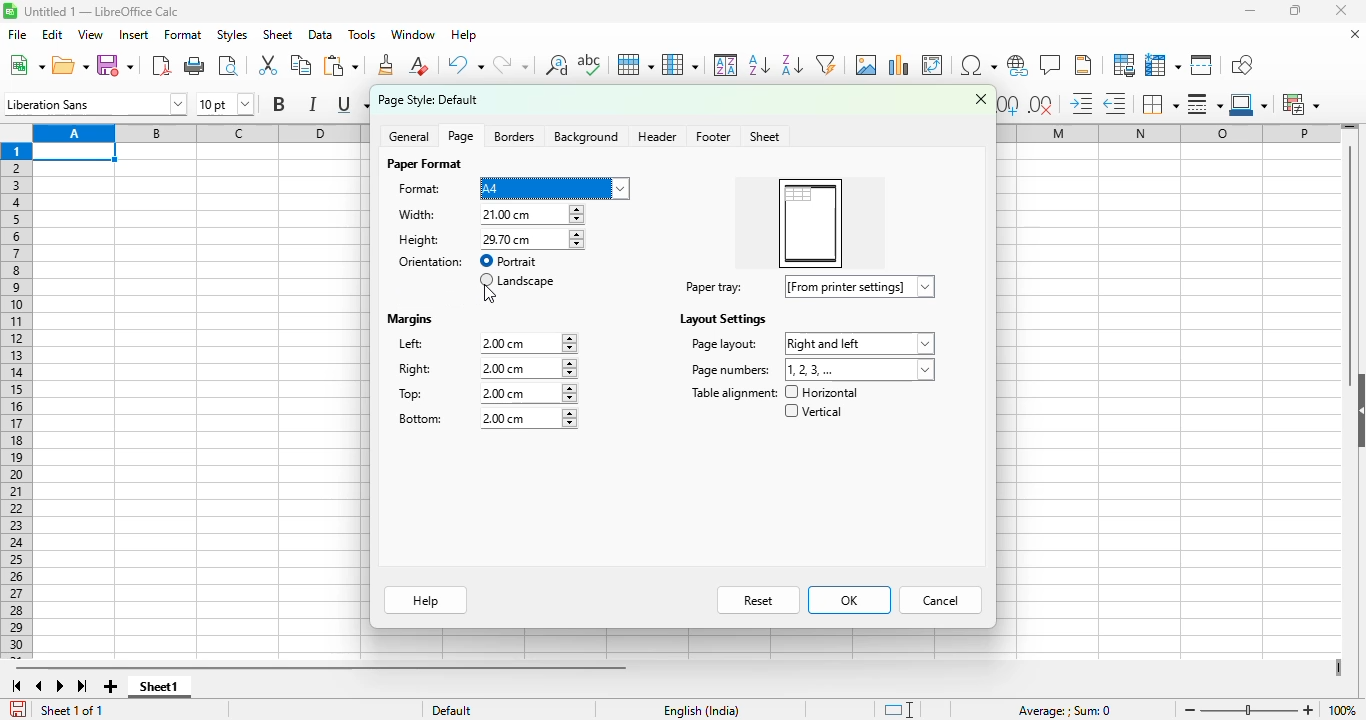 Image resolution: width=1366 pixels, height=720 pixels. What do you see at coordinates (26, 65) in the screenshot?
I see `new` at bounding box center [26, 65].